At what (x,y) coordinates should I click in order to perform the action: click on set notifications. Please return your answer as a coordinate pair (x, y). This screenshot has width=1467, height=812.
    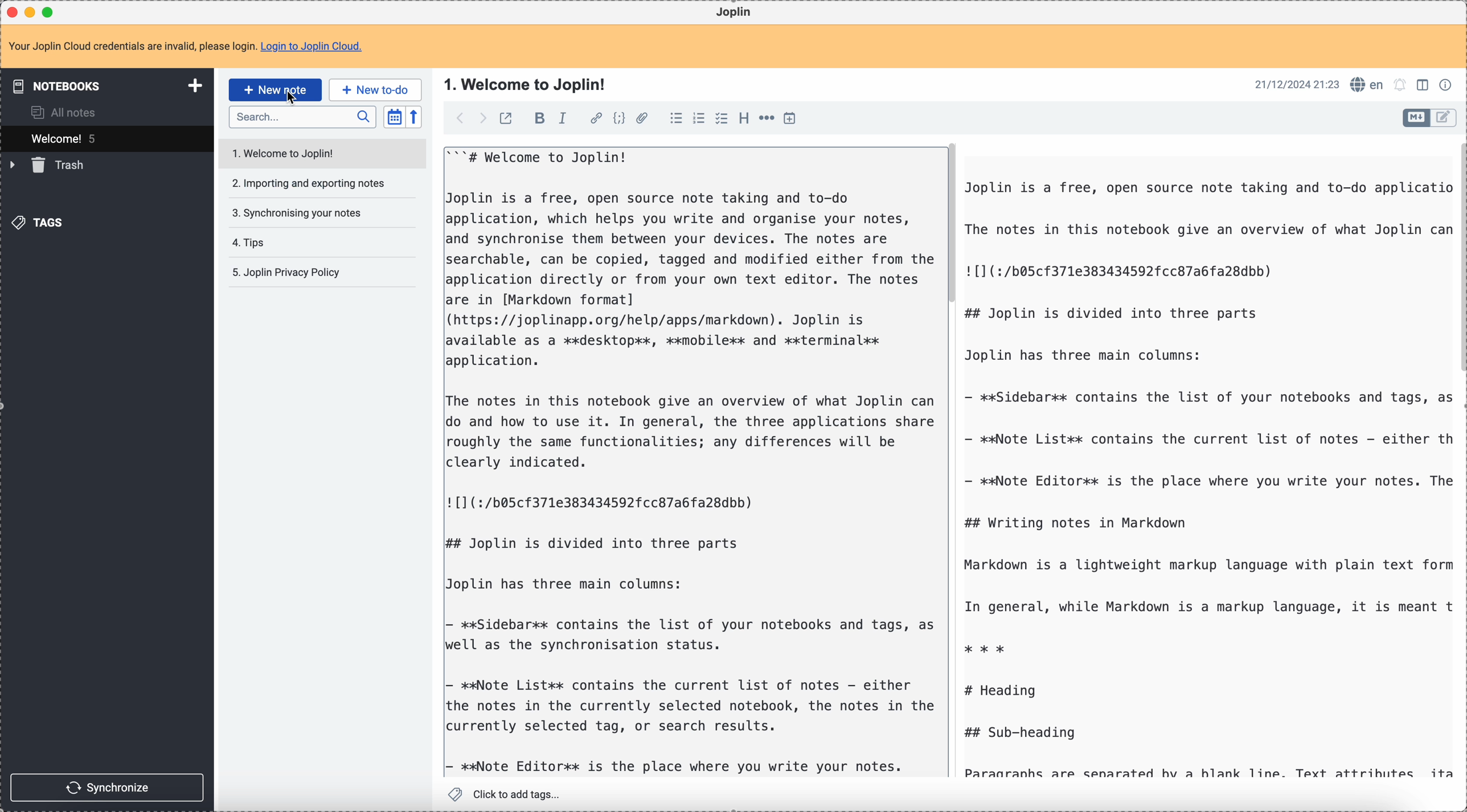
    Looking at the image, I should click on (1400, 84).